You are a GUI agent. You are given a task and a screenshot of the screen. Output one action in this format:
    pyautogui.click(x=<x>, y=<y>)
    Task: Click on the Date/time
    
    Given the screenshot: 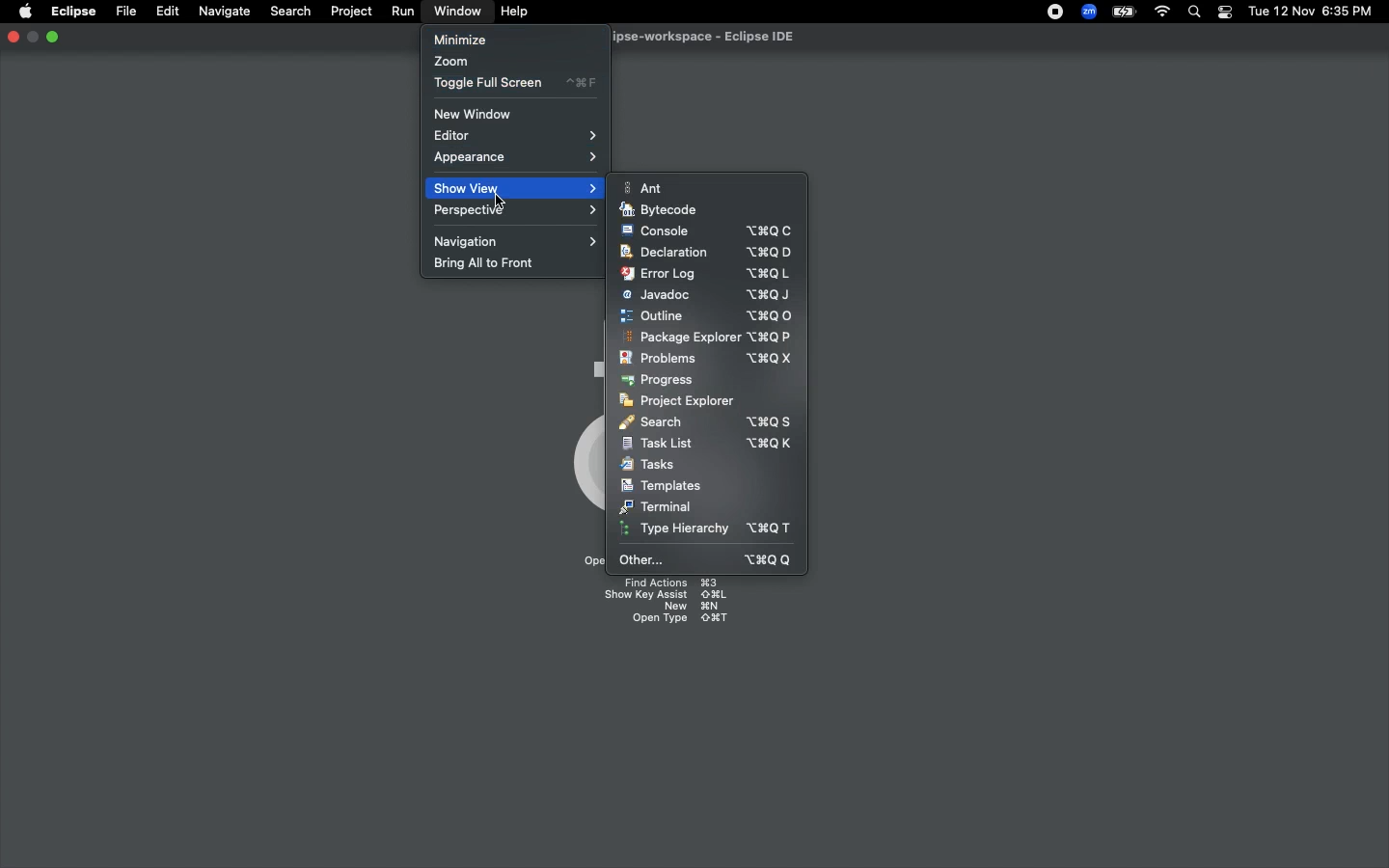 What is the action you would take?
    pyautogui.click(x=1312, y=11)
    